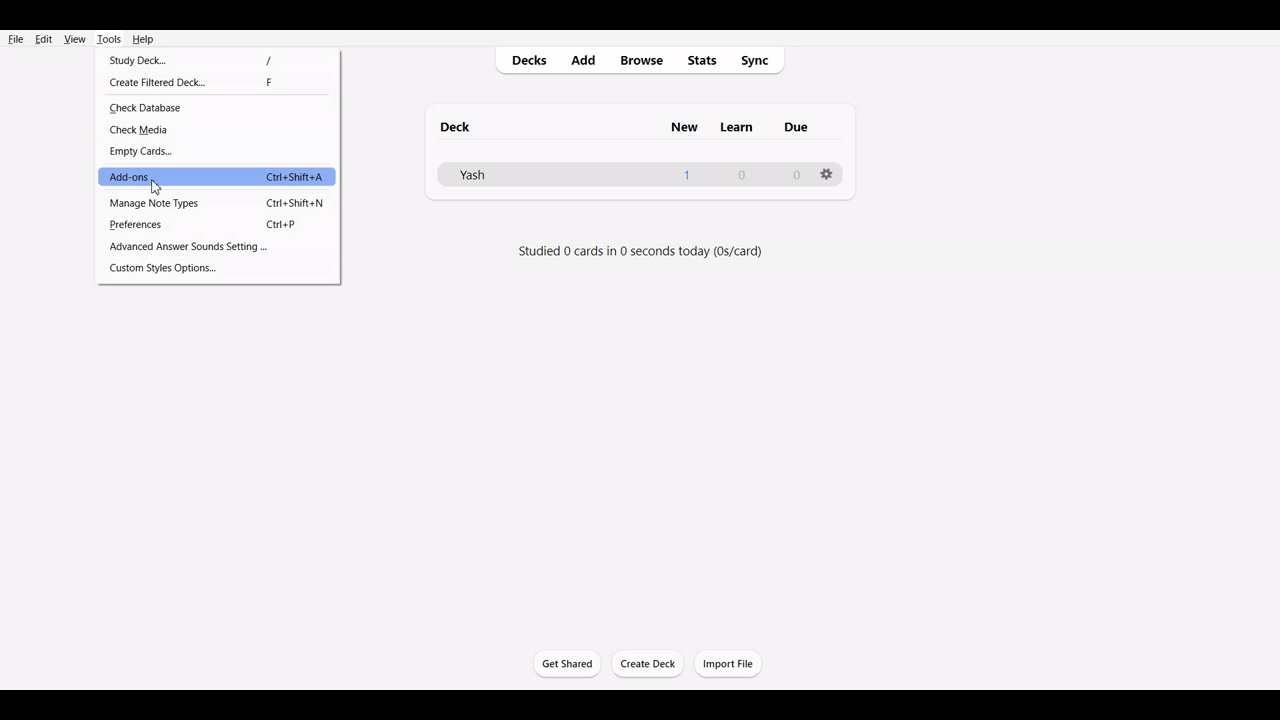  What do you see at coordinates (804, 121) in the screenshot?
I see `` at bounding box center [804, 121].